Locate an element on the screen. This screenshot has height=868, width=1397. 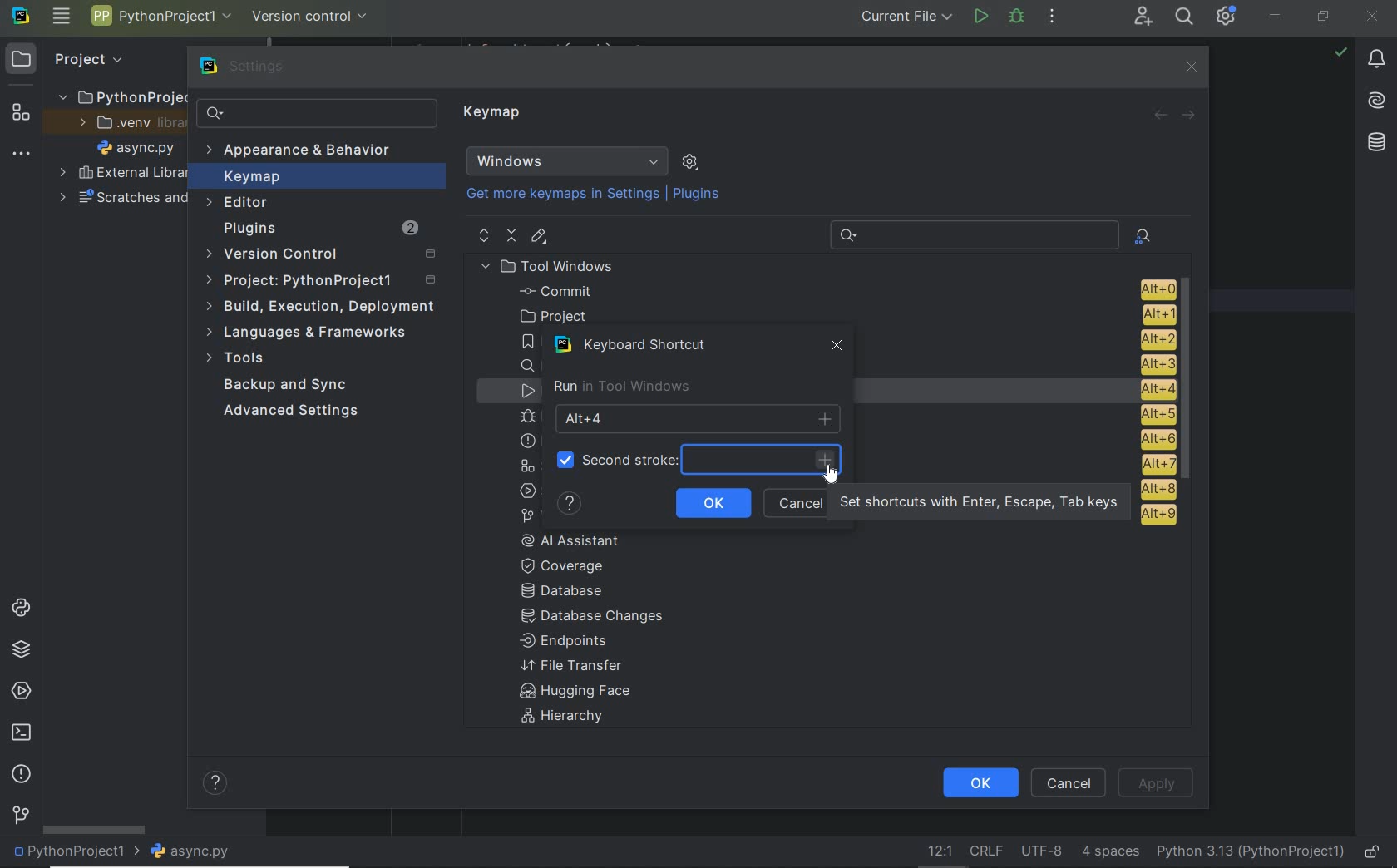
coverage is located at coordinates (572, 565).